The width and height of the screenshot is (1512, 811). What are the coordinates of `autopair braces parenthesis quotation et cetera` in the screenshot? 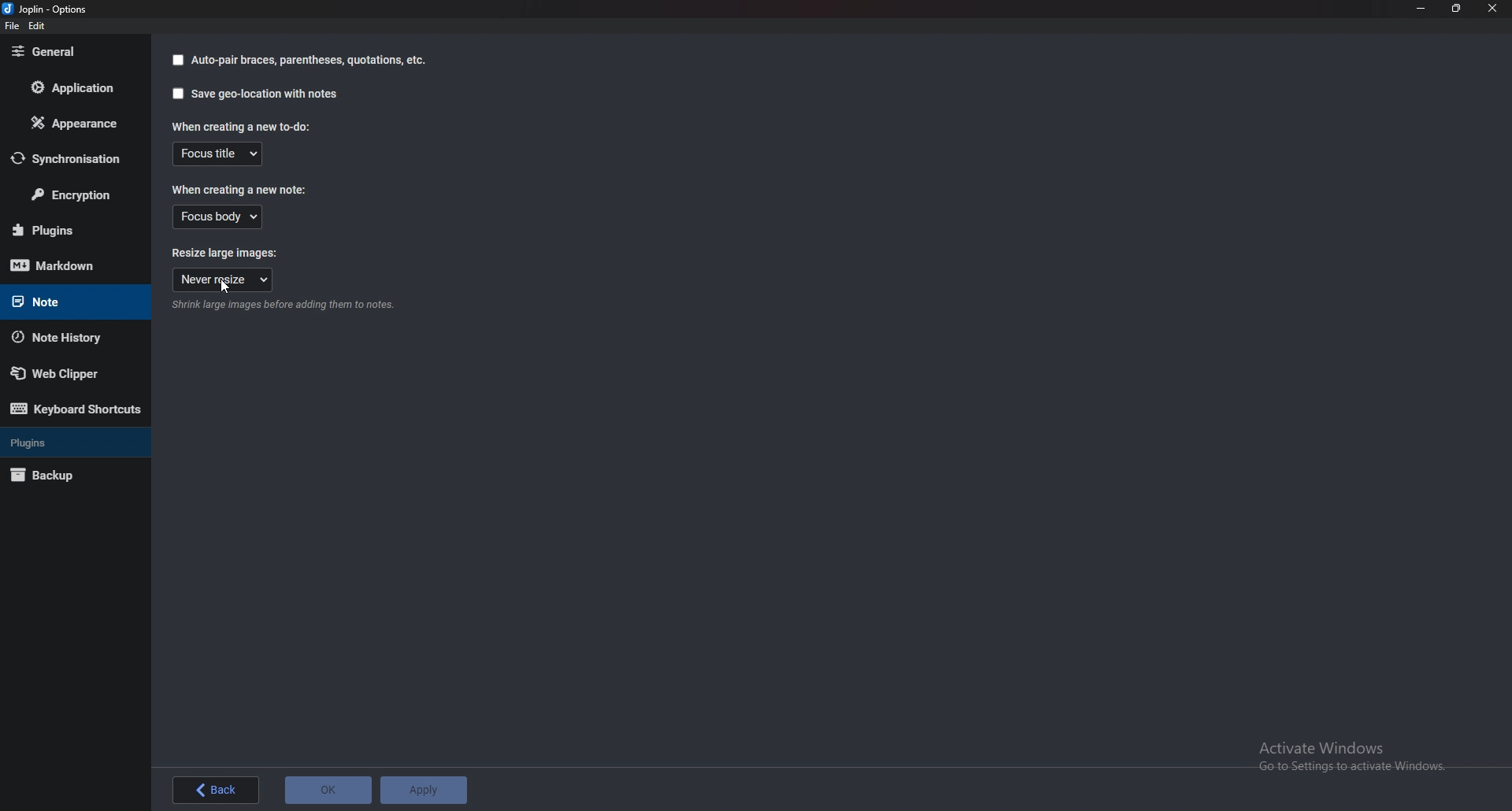 It's located at (298, 60).